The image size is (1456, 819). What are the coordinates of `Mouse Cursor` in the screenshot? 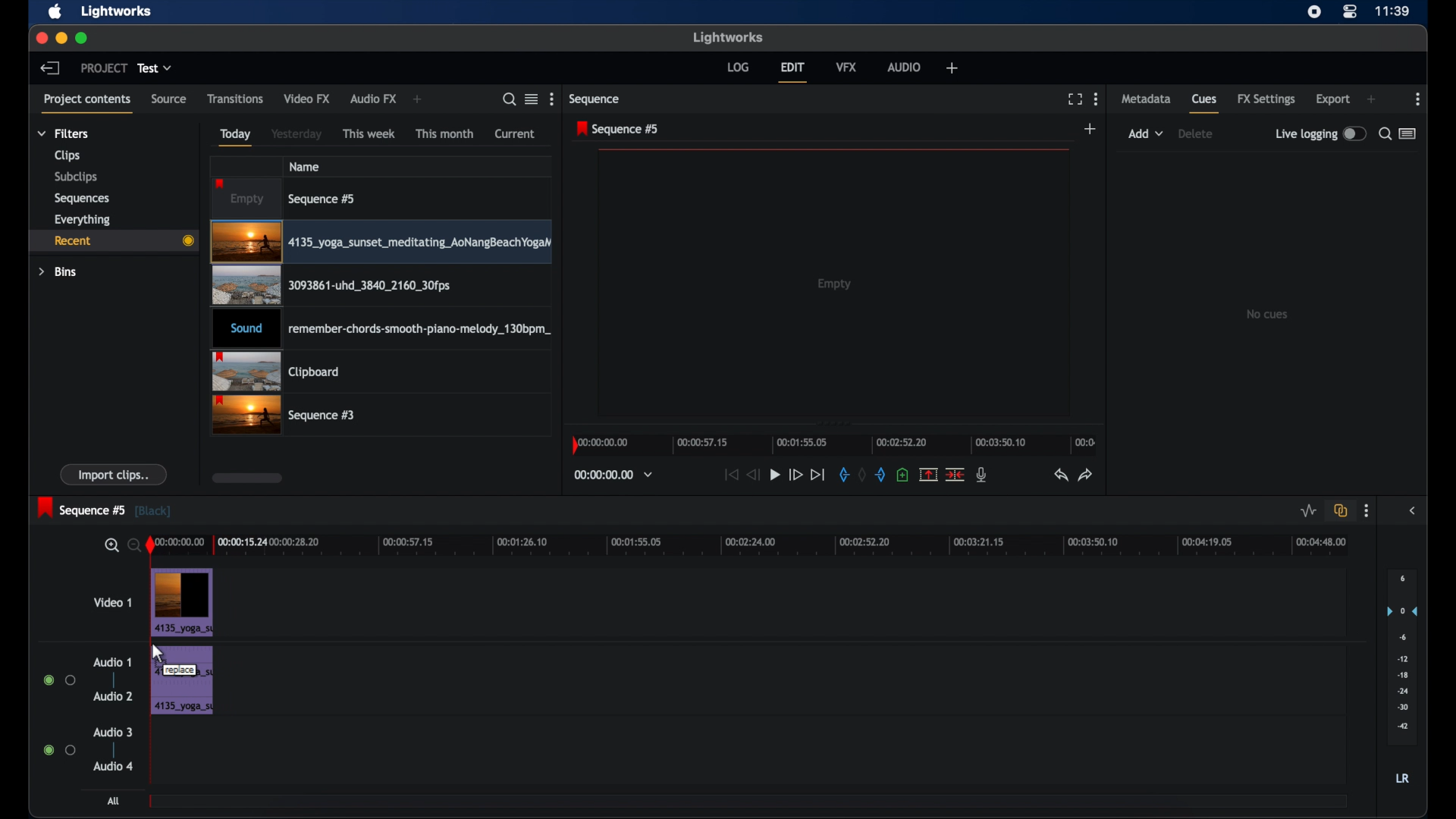 It's located at (158, 654).